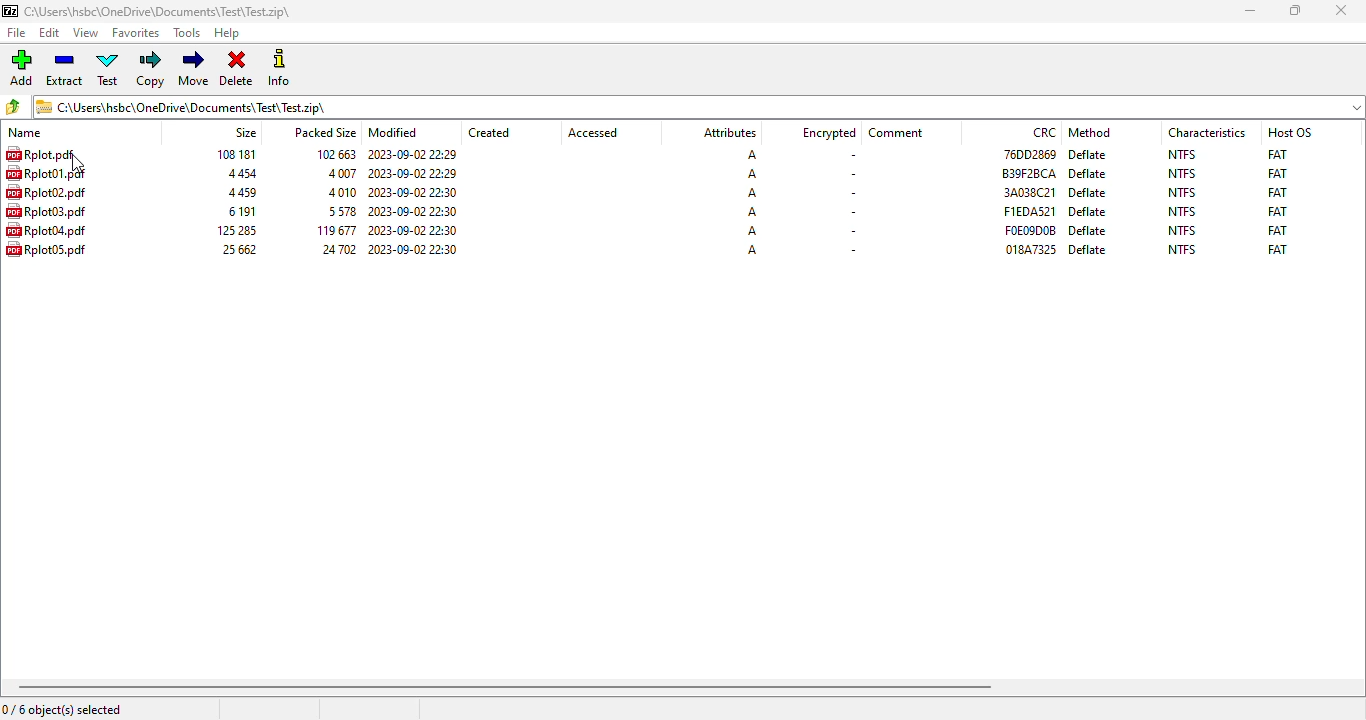  I want to click on packed size, so click(340, 192).